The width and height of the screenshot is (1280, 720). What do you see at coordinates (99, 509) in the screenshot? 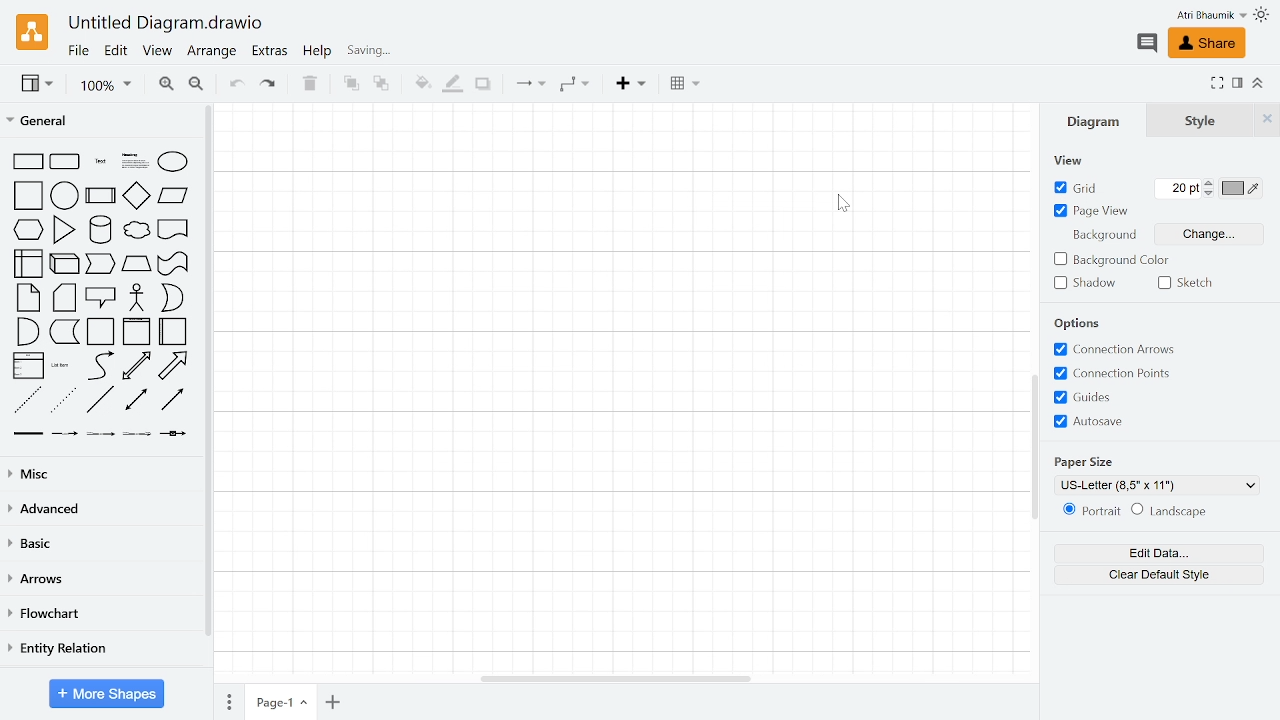
I see `Advances` at bounding box center [99, 509].